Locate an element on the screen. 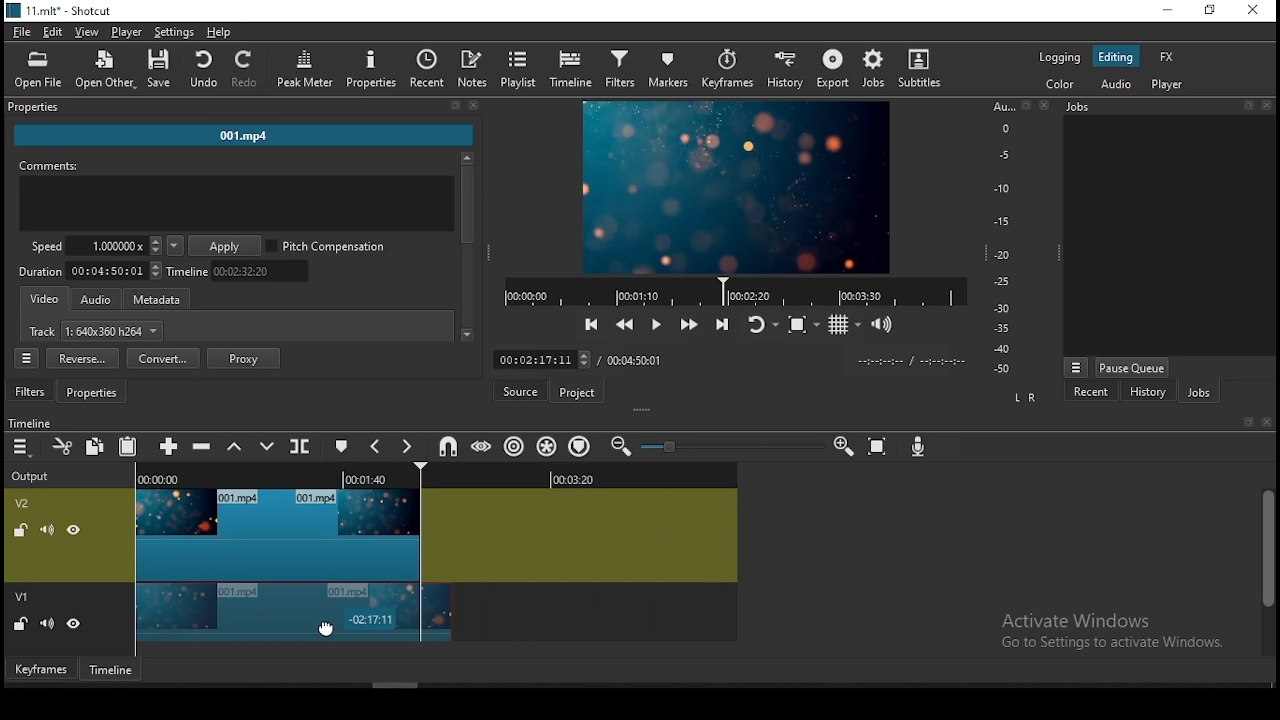 The height and width of the screenshot is (720, 1280). comments is located at coordinates (237, 198).